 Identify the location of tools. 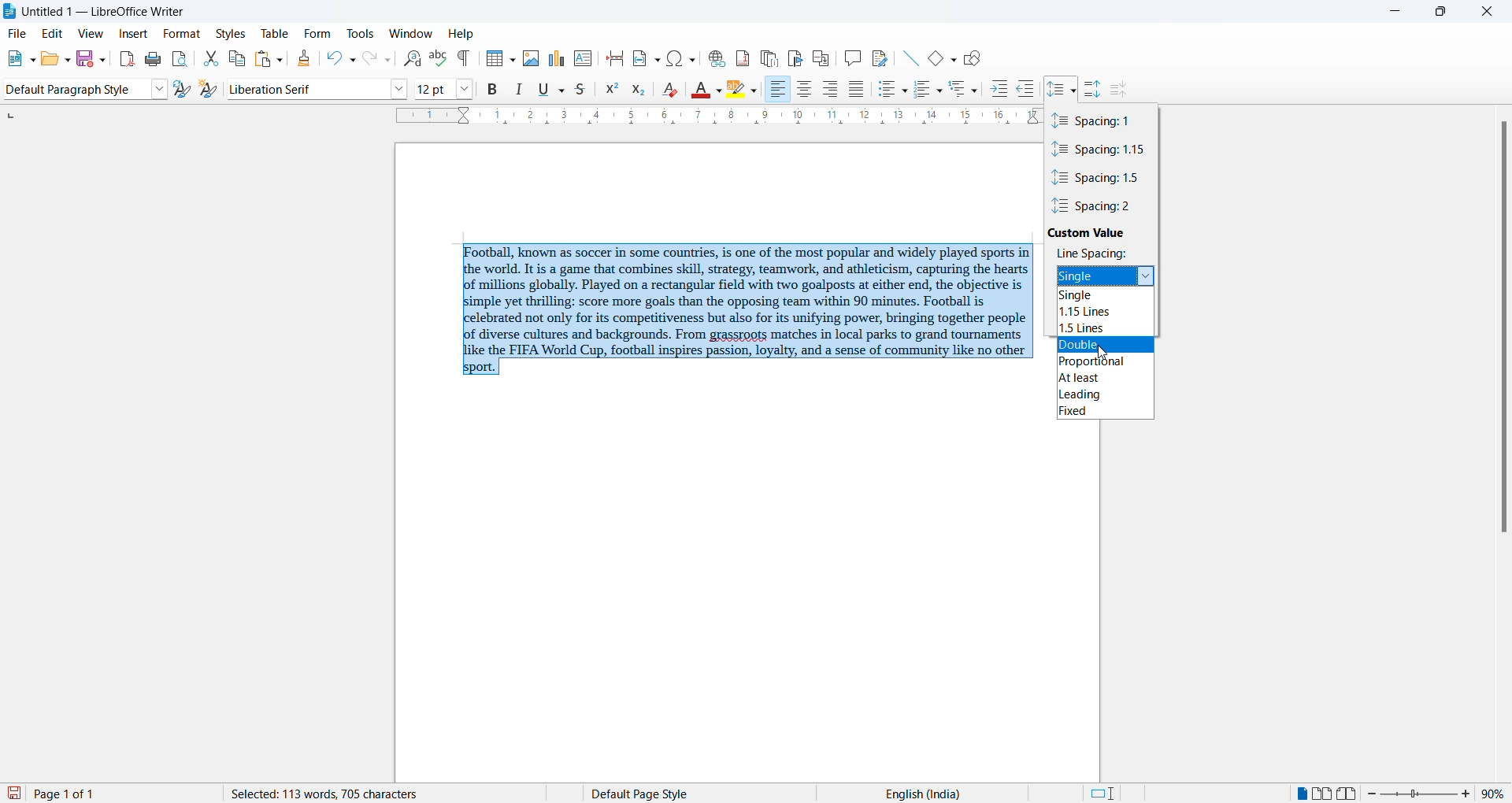
(358, 32).